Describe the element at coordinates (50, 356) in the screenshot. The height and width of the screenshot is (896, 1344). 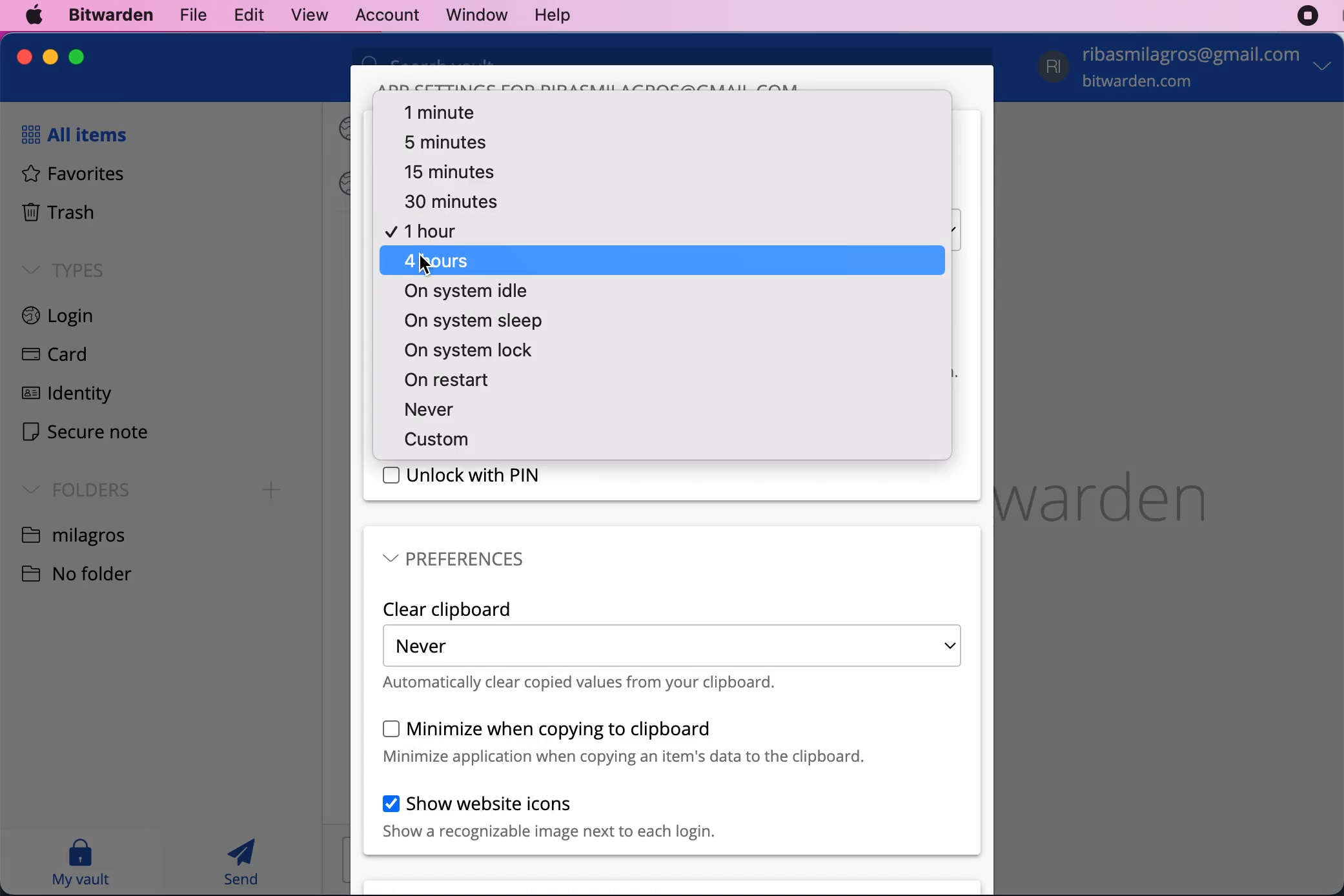
I see `card` at that location.